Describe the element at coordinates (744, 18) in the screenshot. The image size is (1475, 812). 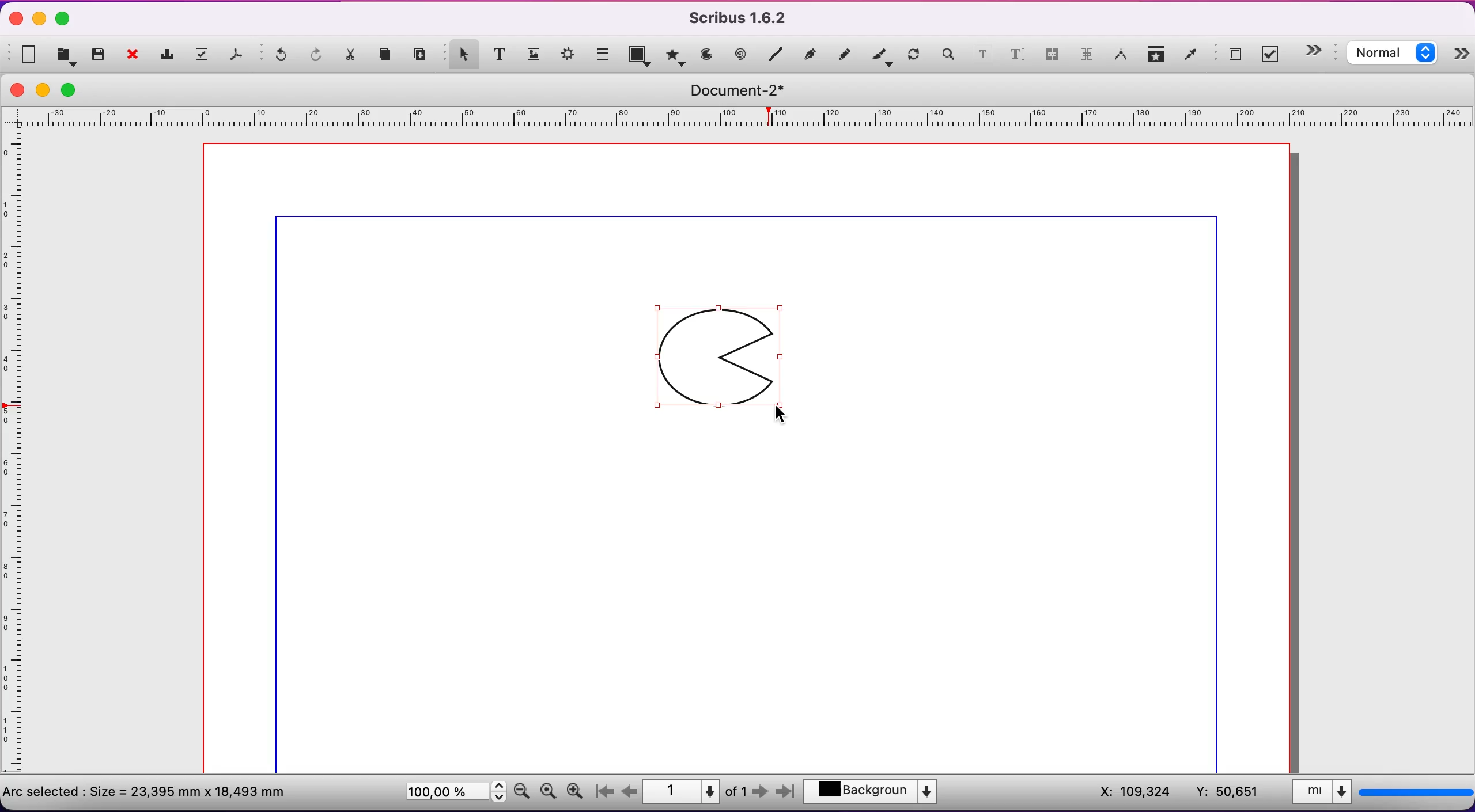
I see `scribus` at that location.